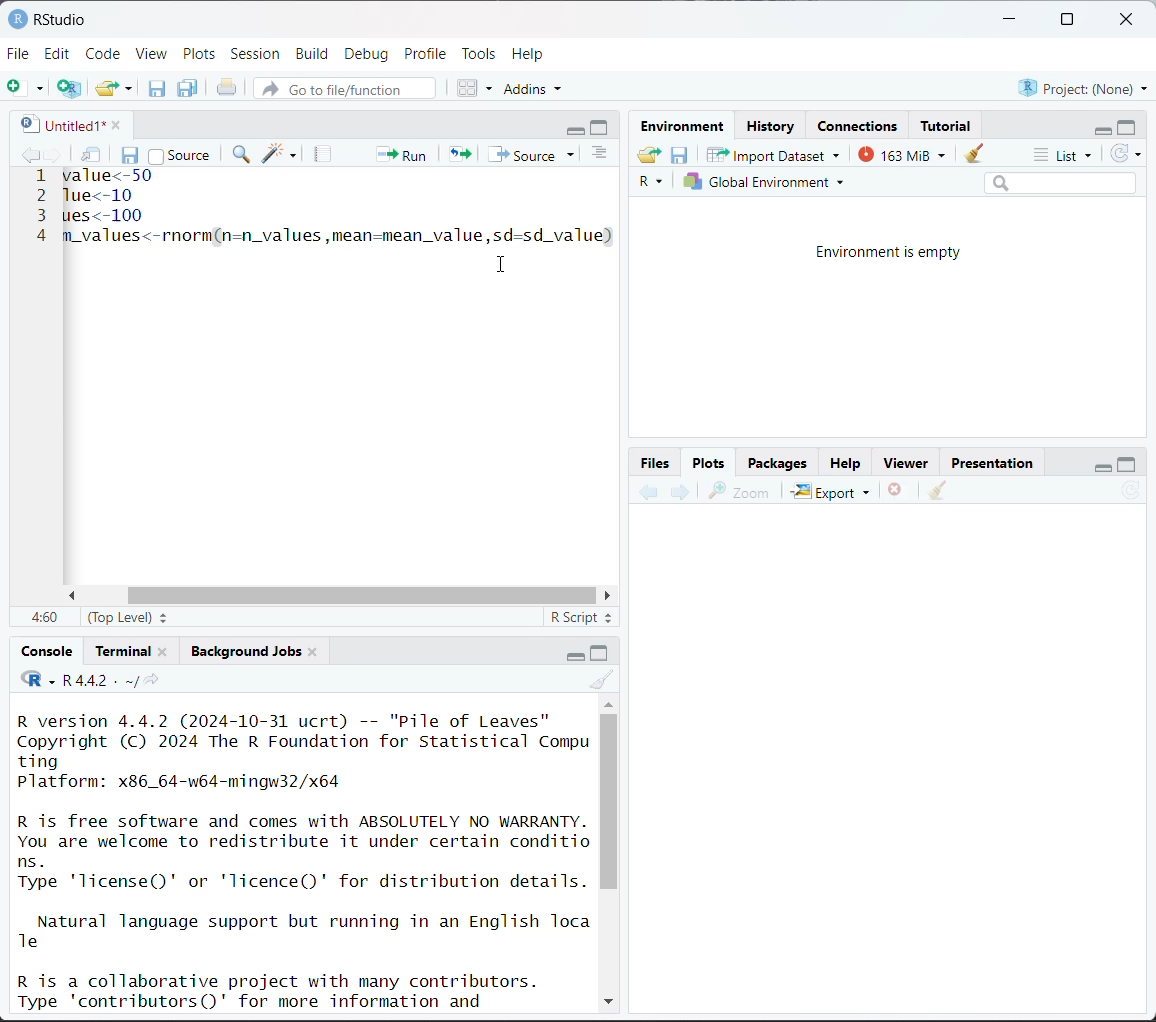 This screenshot has width=1156, height=1022. What do you see at coordinates (1066, 20) in the screenshot?
I see `maximize` at bounding box center [1066, 20].